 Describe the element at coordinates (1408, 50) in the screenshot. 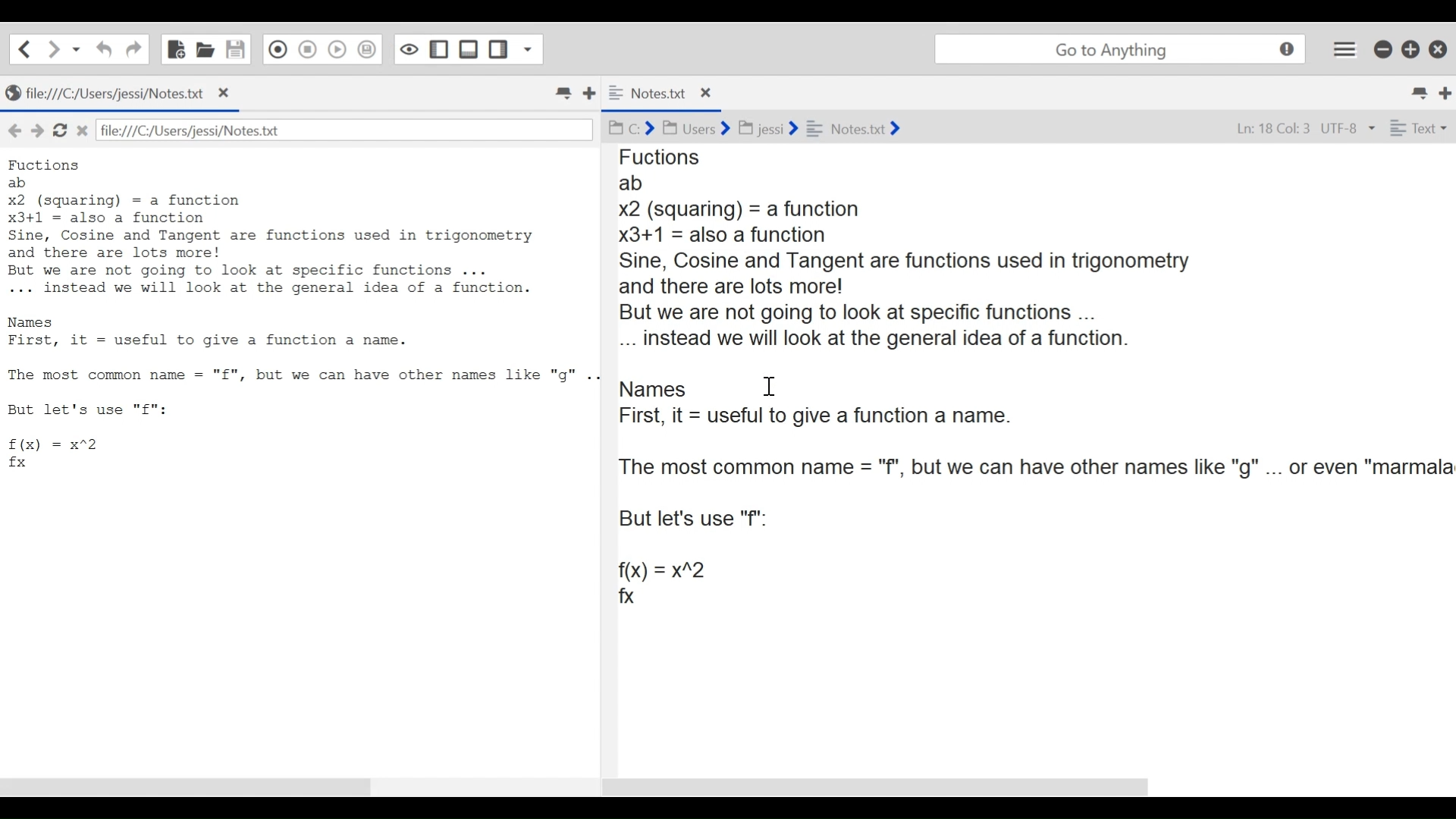

I see `restore` at that location.